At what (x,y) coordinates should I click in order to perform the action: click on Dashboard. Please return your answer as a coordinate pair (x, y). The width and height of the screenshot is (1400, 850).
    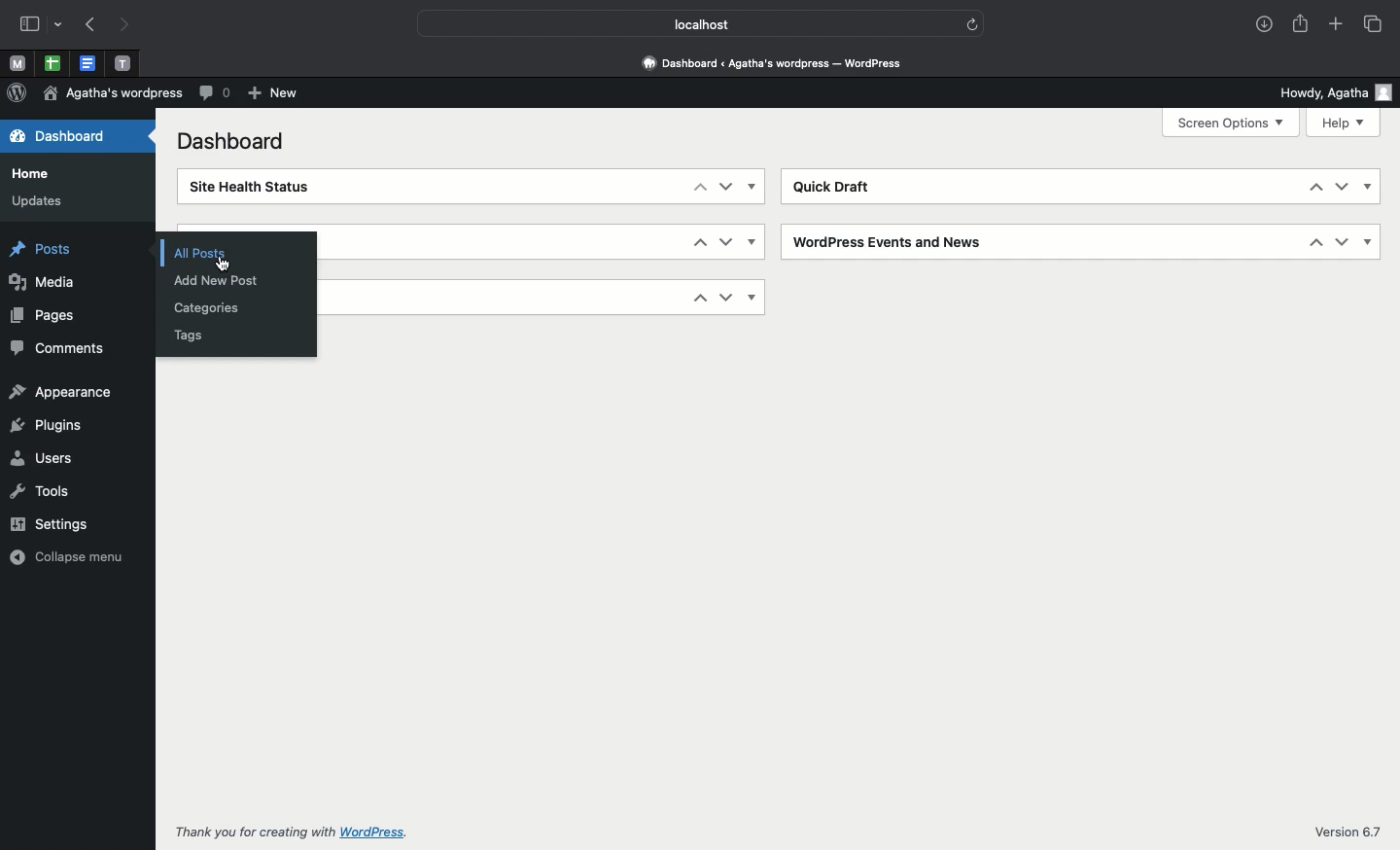
    Looking at the image, I should click on (73, 138).